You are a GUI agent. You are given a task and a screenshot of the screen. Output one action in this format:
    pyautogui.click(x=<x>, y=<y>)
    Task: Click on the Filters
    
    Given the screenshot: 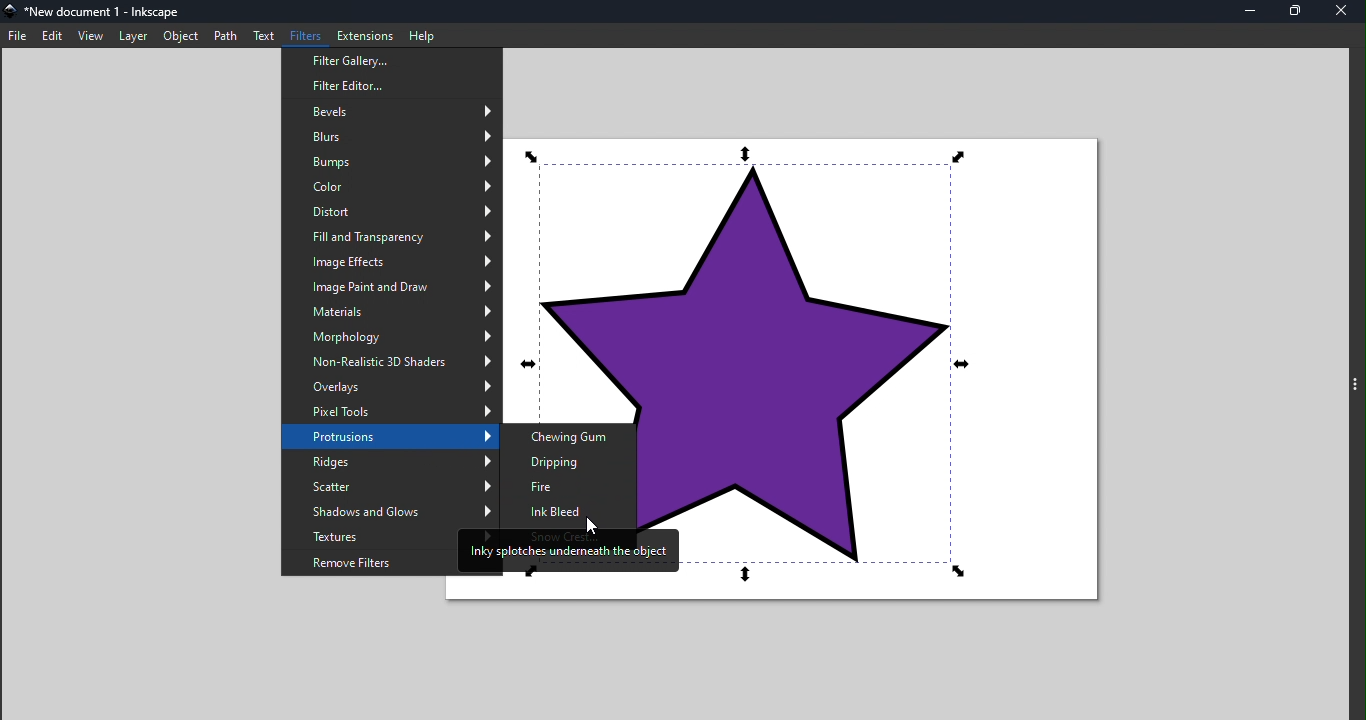 What is the action you would take?
    pyautogui.click(x=308, y=36)
    